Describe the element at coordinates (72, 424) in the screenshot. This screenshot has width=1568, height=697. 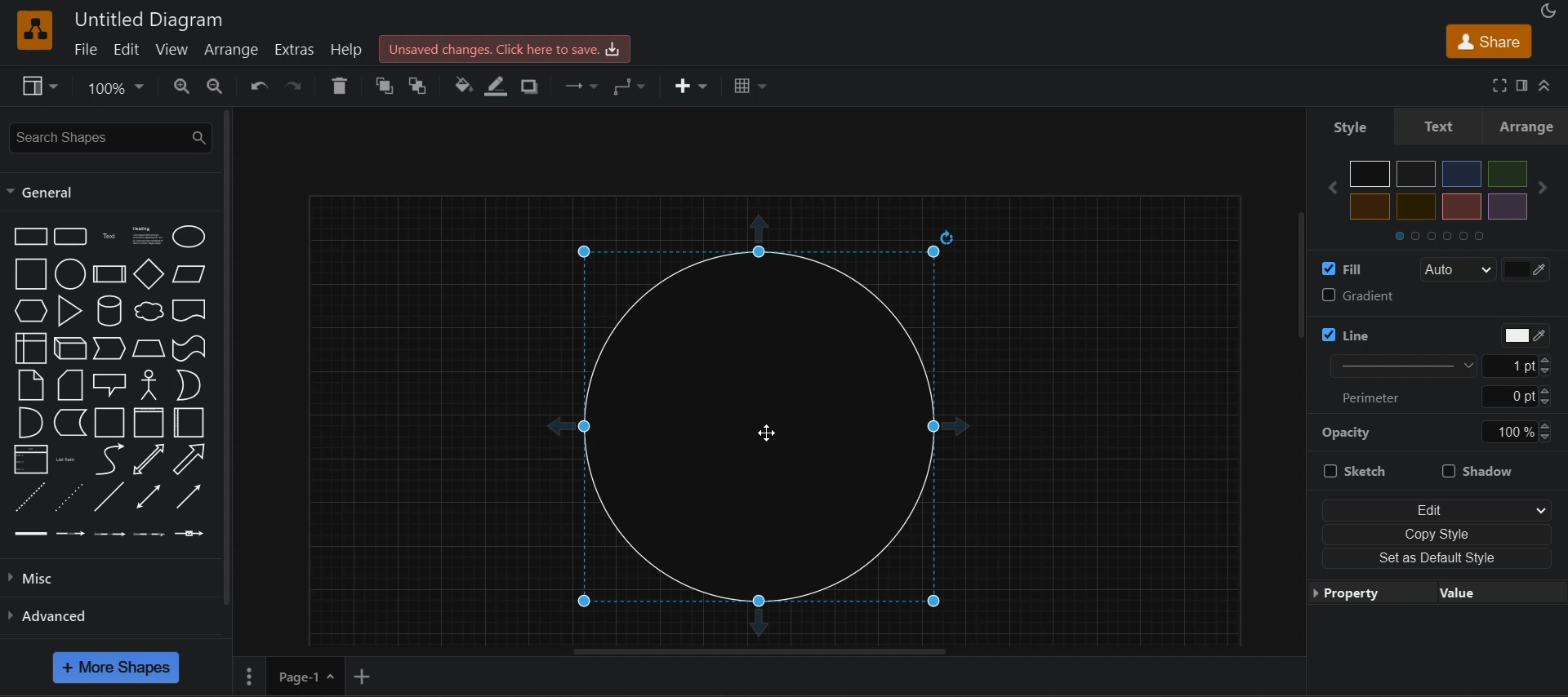
I see `data storage` at that location.